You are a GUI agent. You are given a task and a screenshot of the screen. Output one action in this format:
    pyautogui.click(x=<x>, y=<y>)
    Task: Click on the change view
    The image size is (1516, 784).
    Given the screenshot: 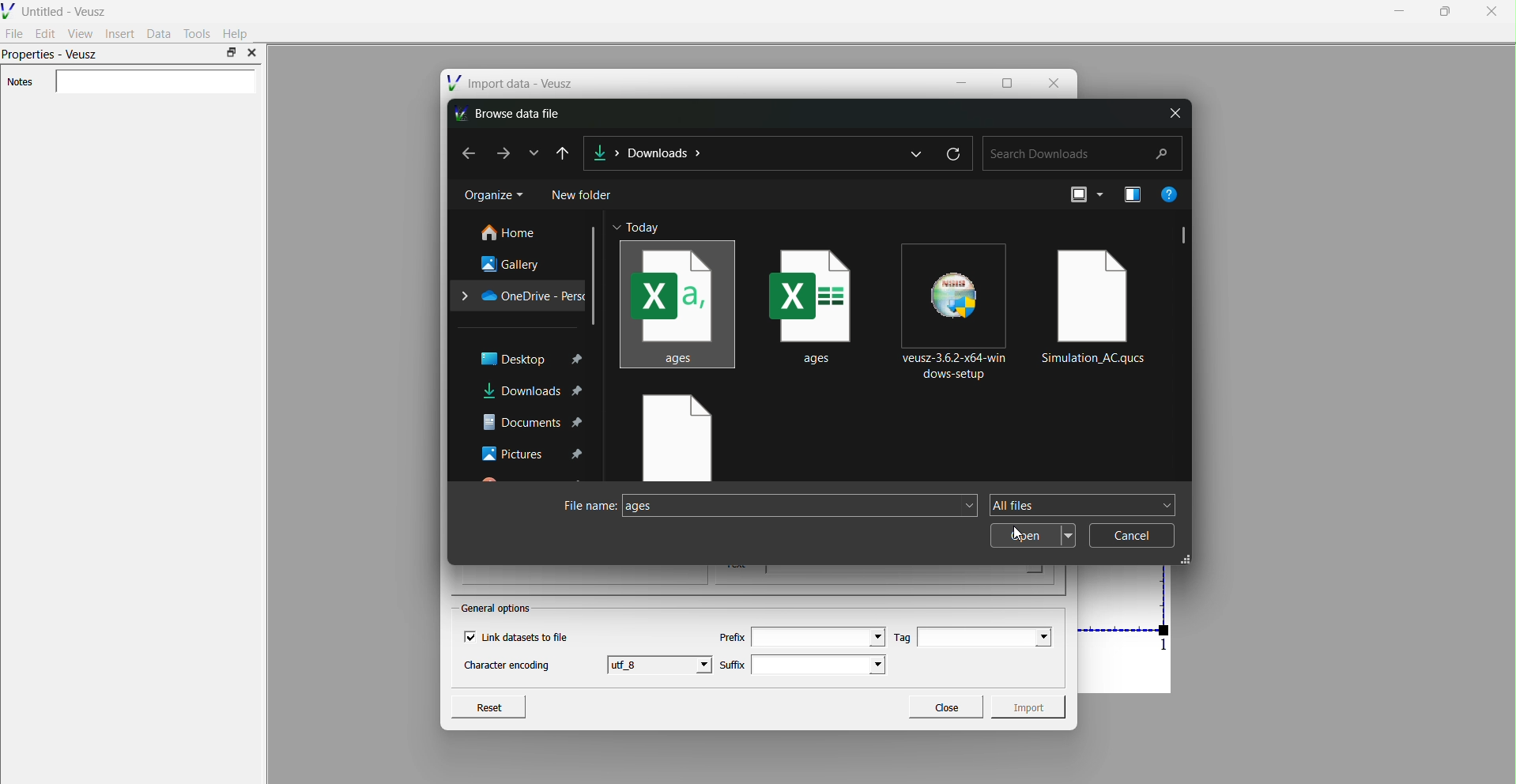 What is the action you would take?
    pyautogui.click(x=1083, y=194)
    